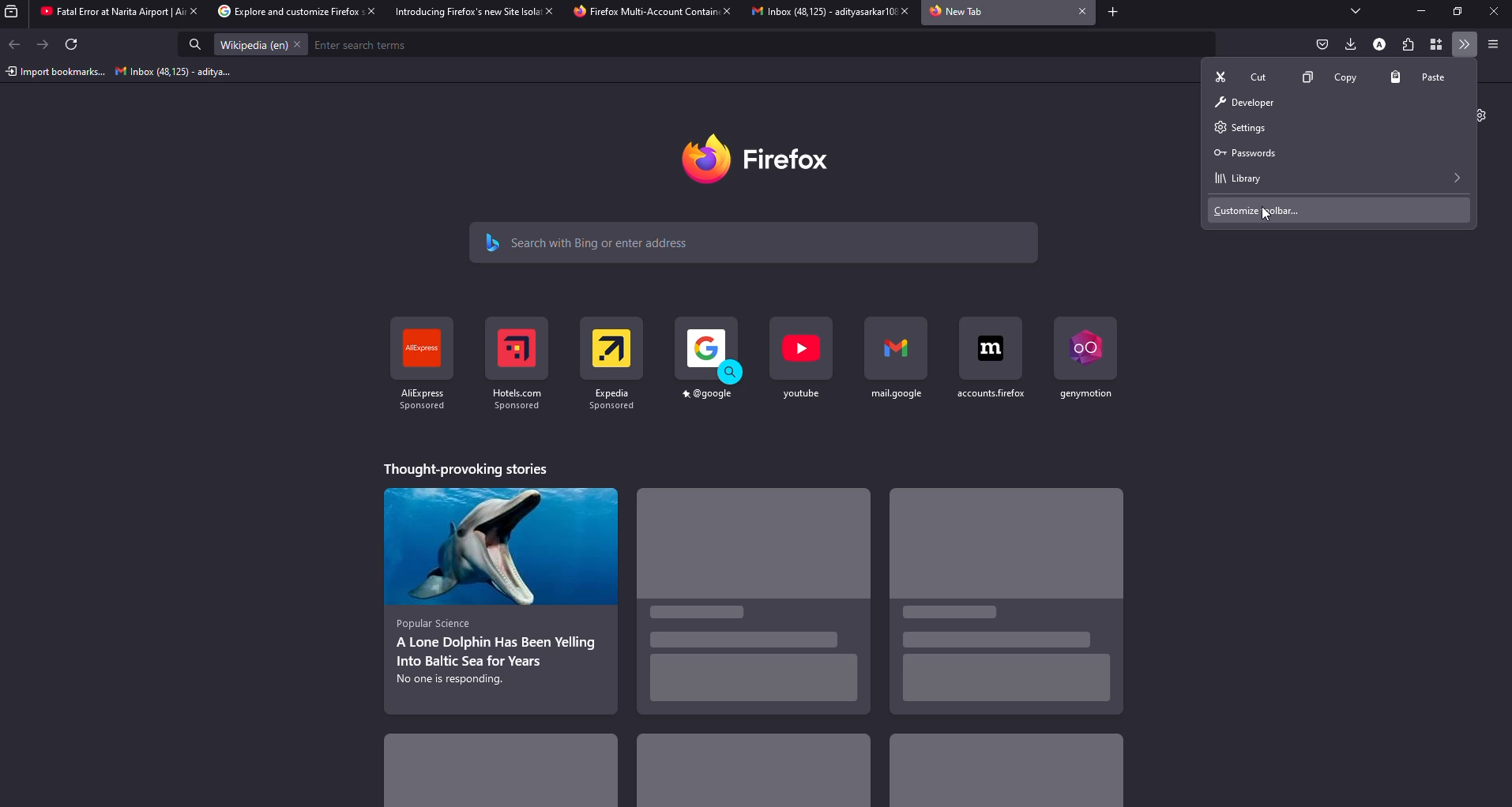 The height and width of the screenshot is (807, 1512). Describe the element at coordinates (990, 358) in the screenshot. I see `shortcut` at that location.